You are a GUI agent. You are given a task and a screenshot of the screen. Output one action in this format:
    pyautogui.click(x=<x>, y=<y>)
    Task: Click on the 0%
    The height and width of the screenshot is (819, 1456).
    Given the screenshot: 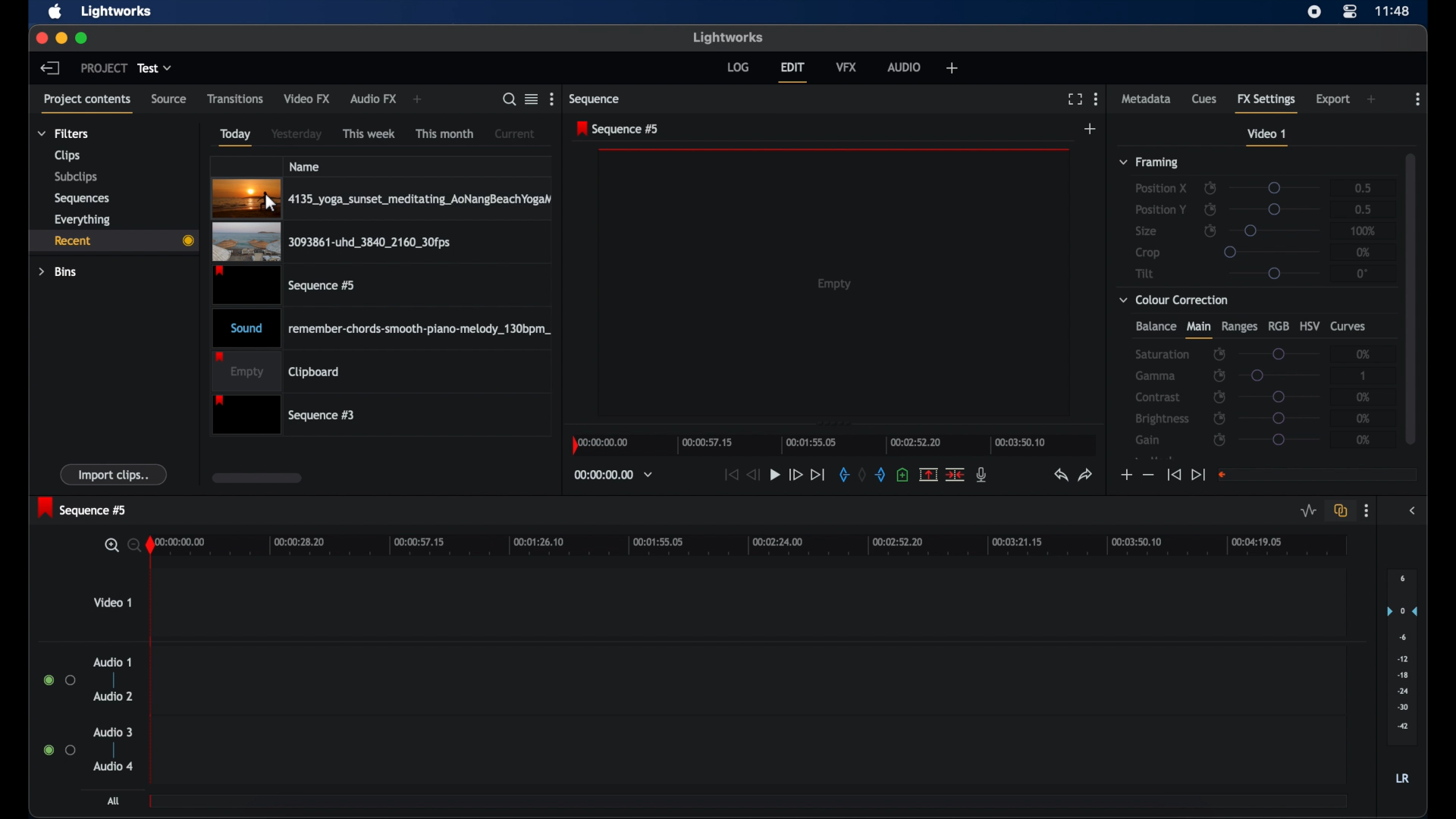 What is the action you would take?
    pyautogui.click(x=1361, y=355)
    